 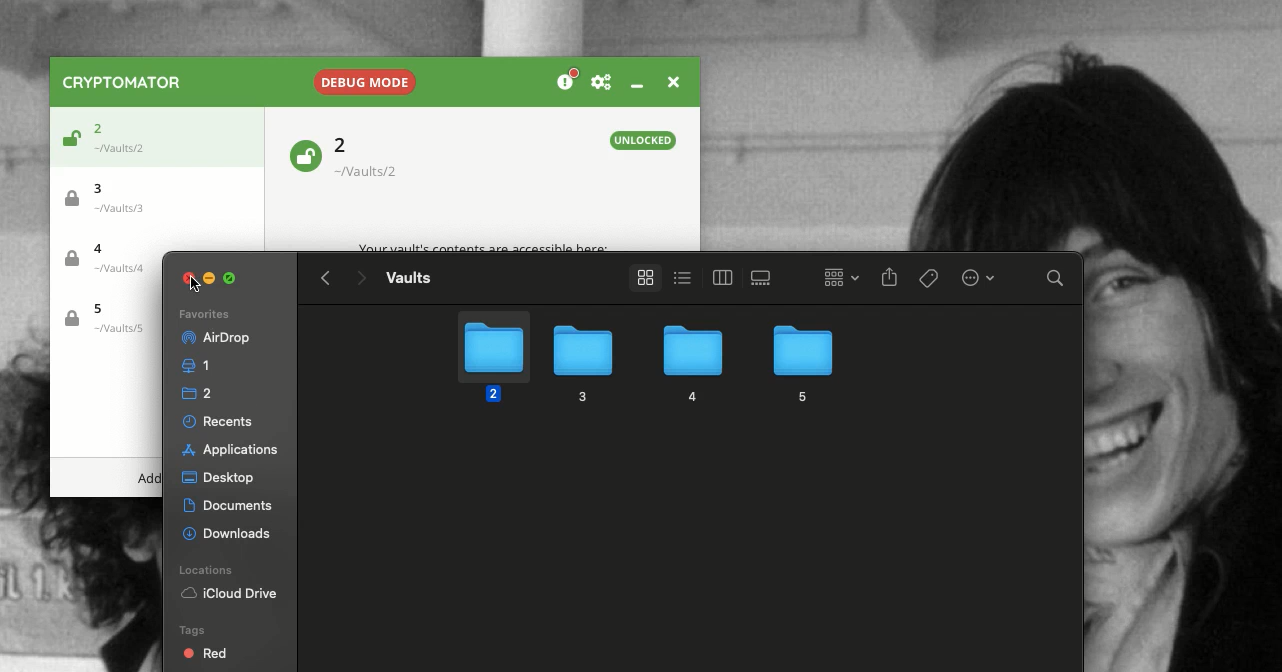 I want to click on Vault 3, so click(x=114, y=196).